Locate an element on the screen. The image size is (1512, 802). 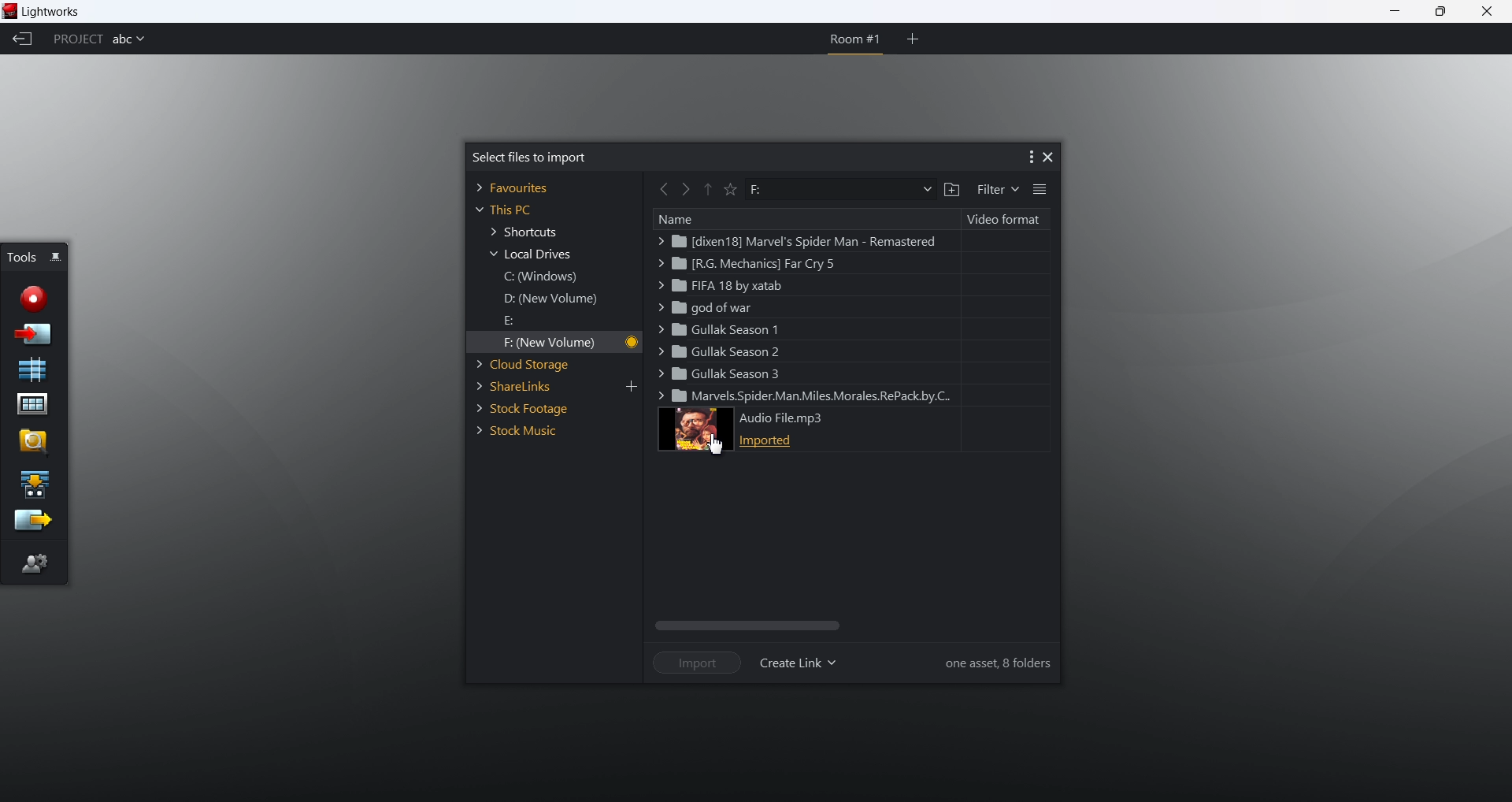
project is located at coordinates (76, 39).